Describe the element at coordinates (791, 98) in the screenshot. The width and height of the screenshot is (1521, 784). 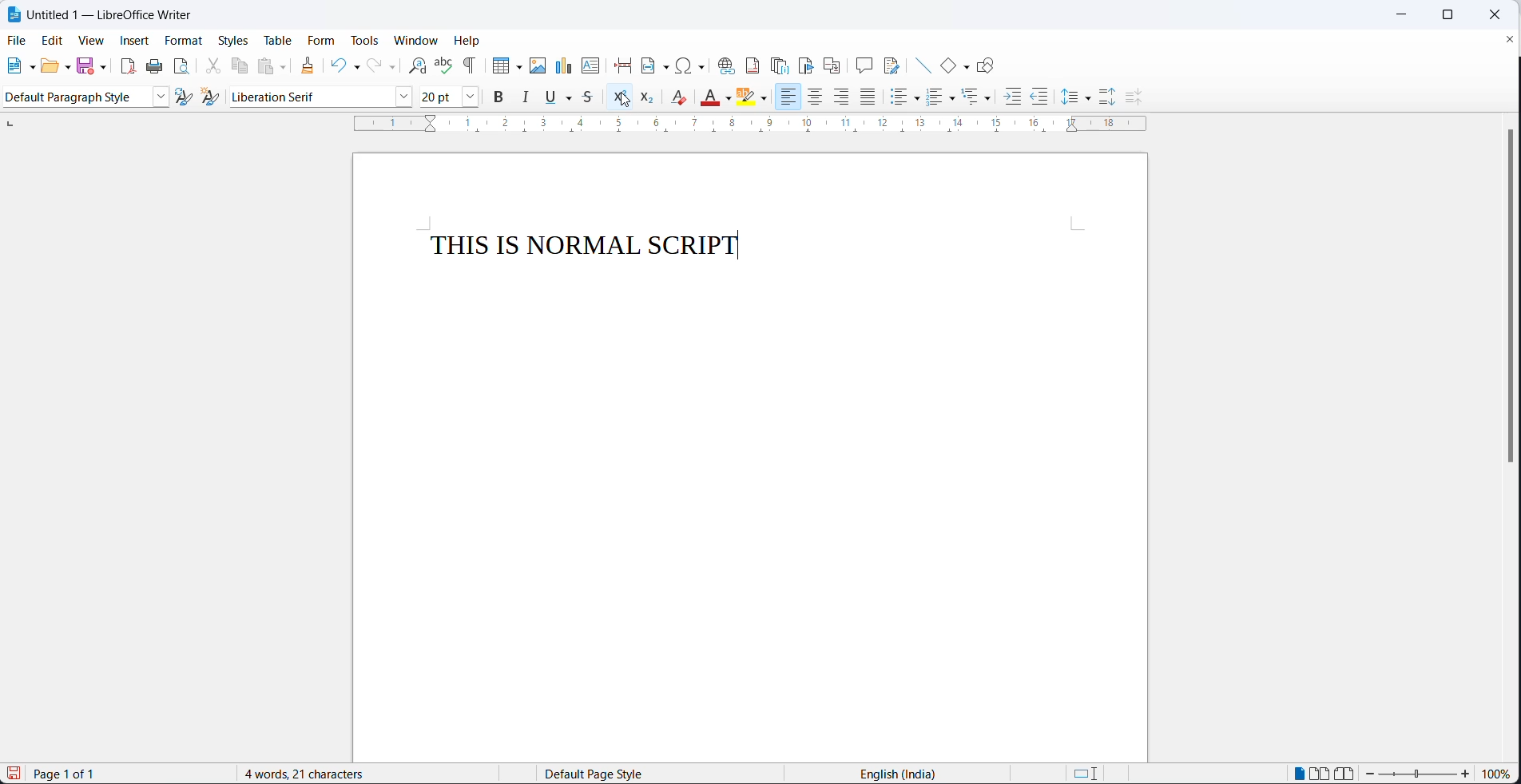
I see `text align left` at that location.